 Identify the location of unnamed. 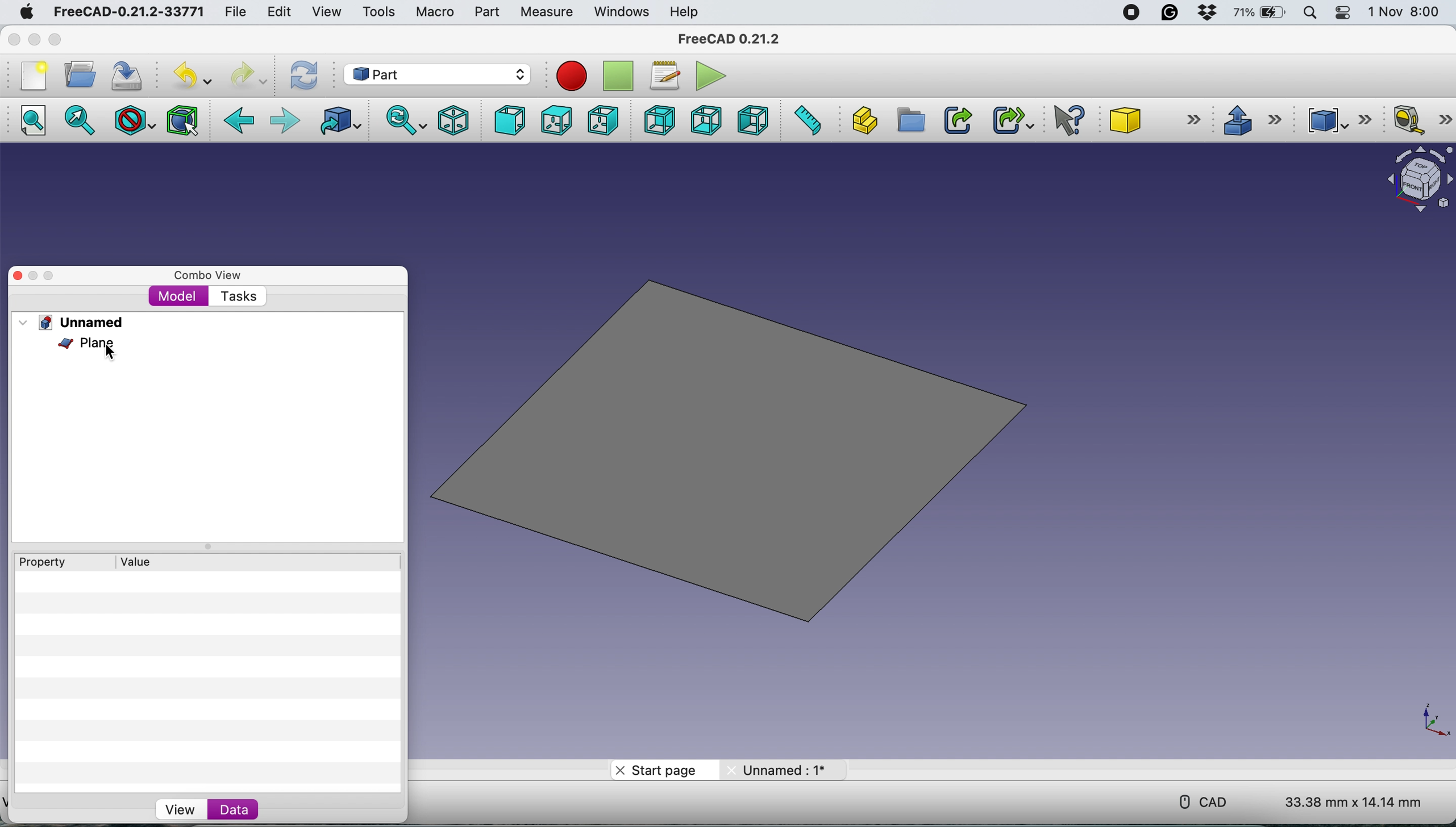
(75, 322).